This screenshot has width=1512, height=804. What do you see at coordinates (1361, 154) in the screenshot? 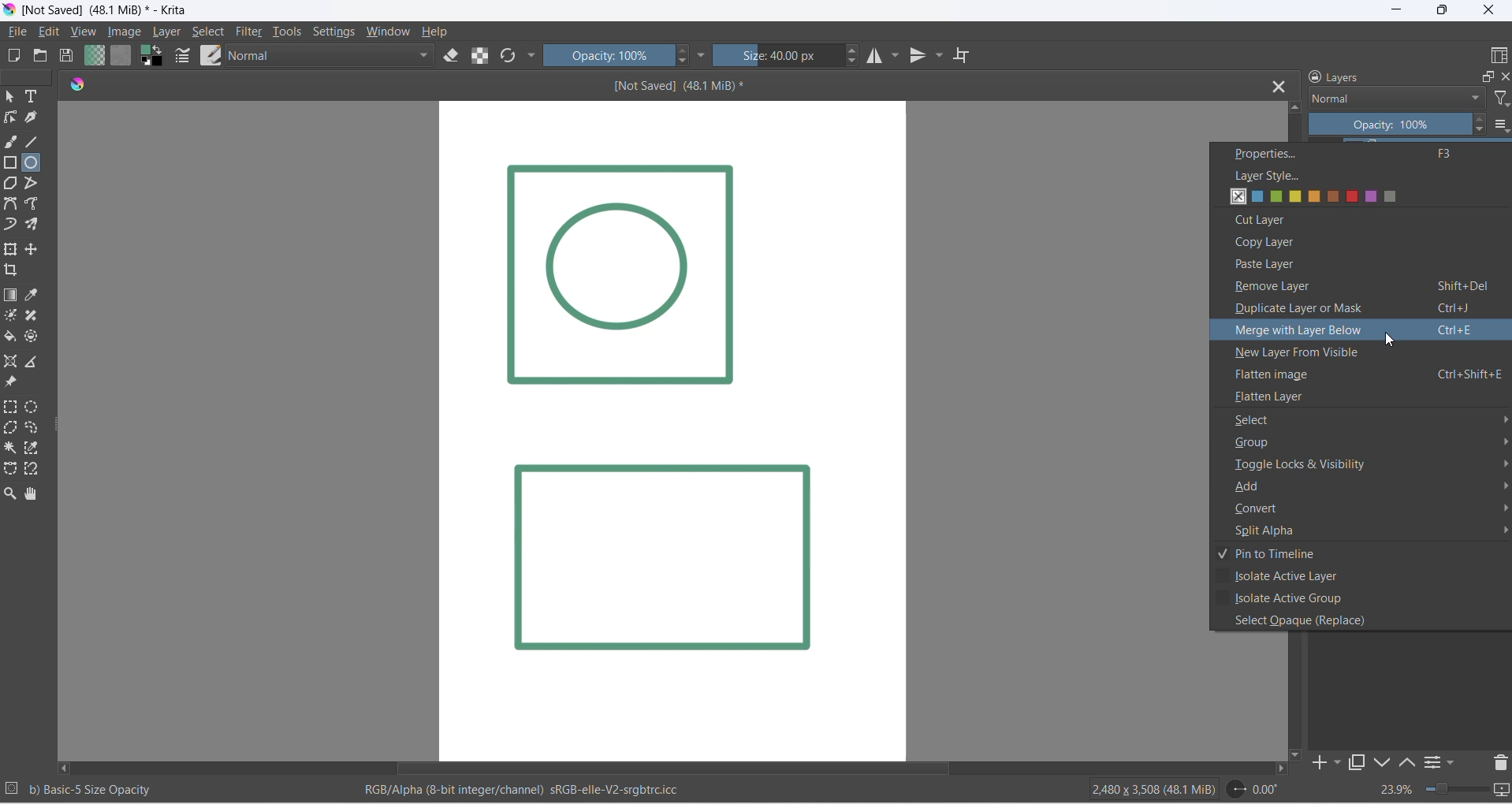
I see `properties` at bounding box center [1361, 154].